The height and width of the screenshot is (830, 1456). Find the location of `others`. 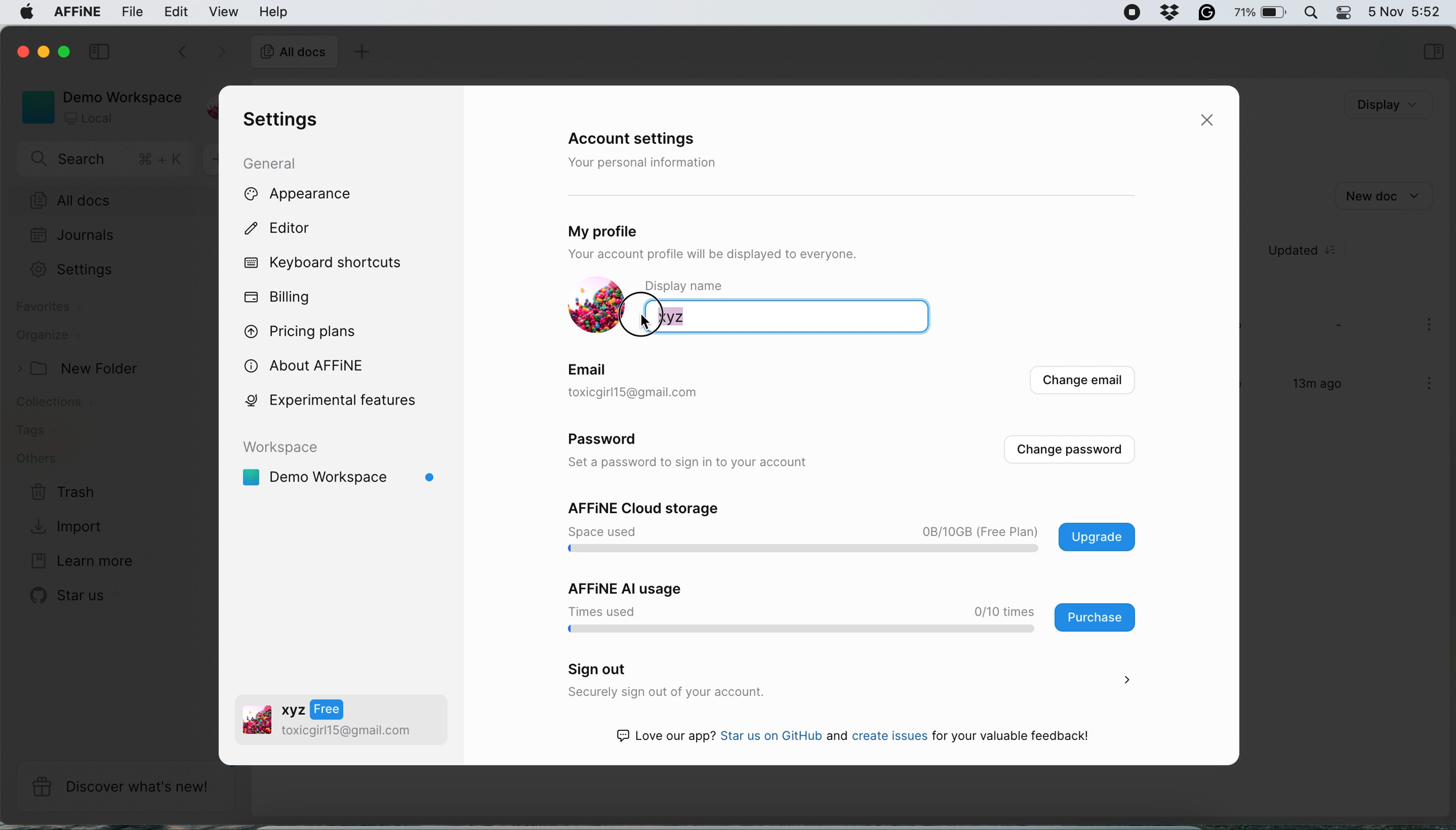

others is located at coordinates (36, 459).